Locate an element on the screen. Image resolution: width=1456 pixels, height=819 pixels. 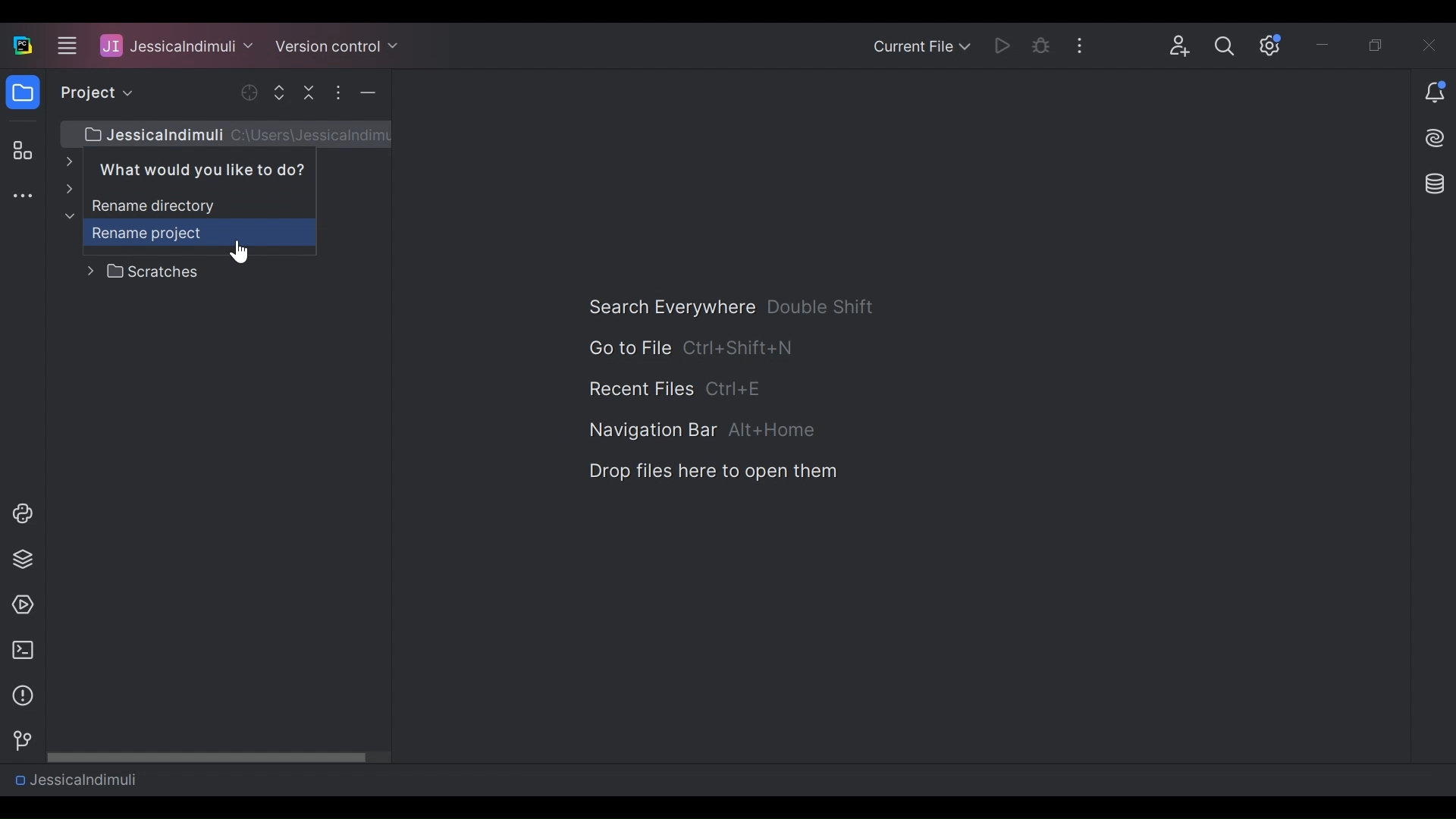
Expand Selected is located at coordinates (283, 92).